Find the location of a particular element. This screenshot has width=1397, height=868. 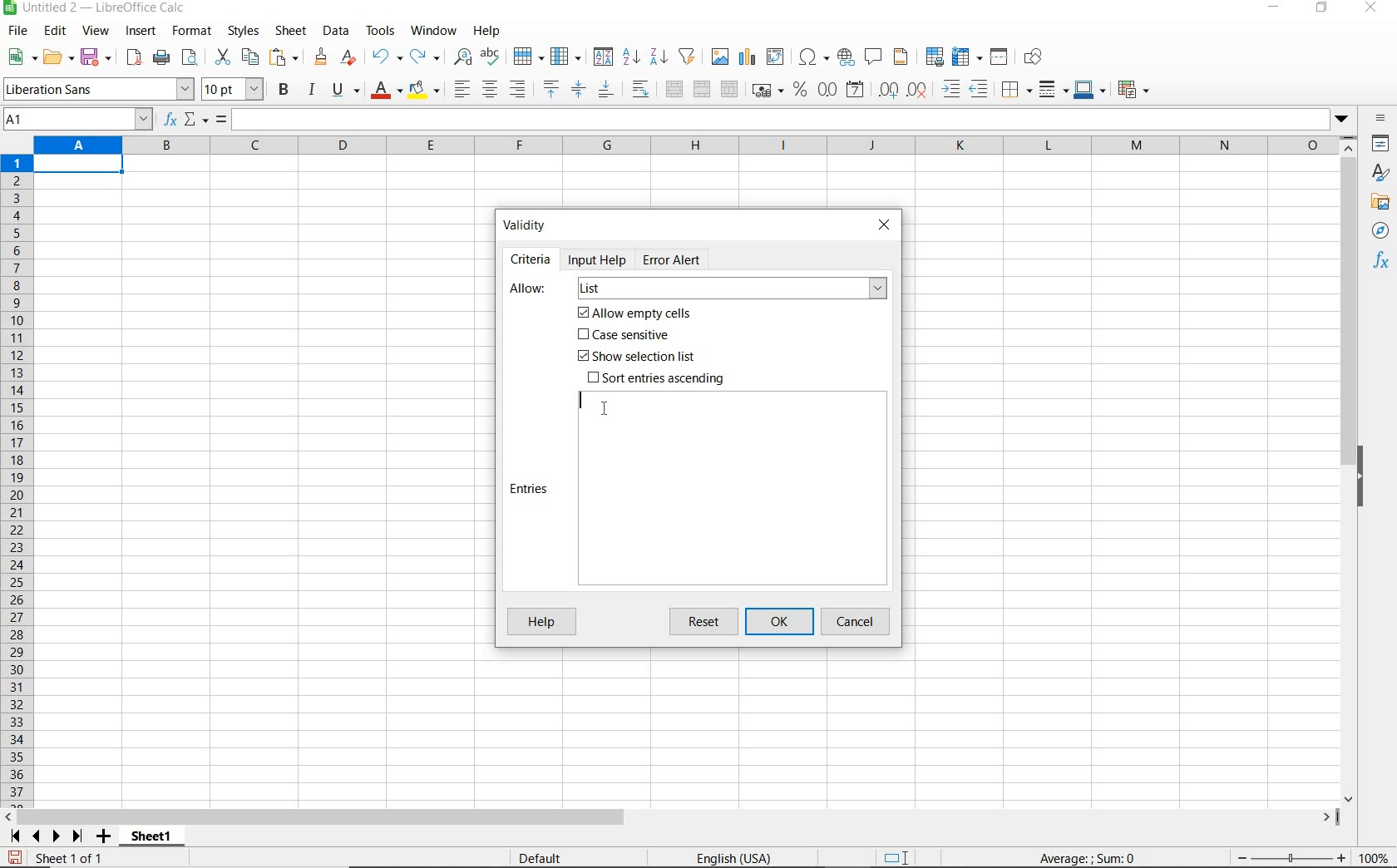

background color is located at coordinates (423, 91).